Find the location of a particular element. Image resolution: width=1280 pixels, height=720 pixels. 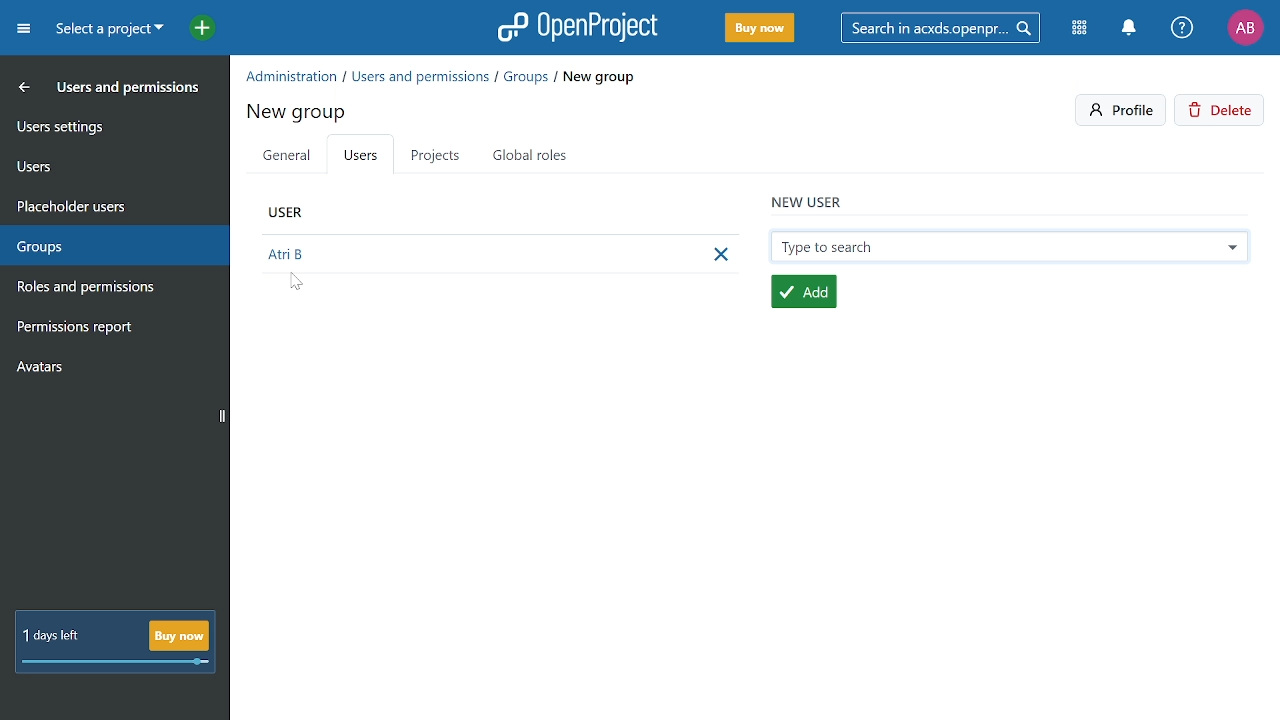

Users is located at coordinates (112, 163).